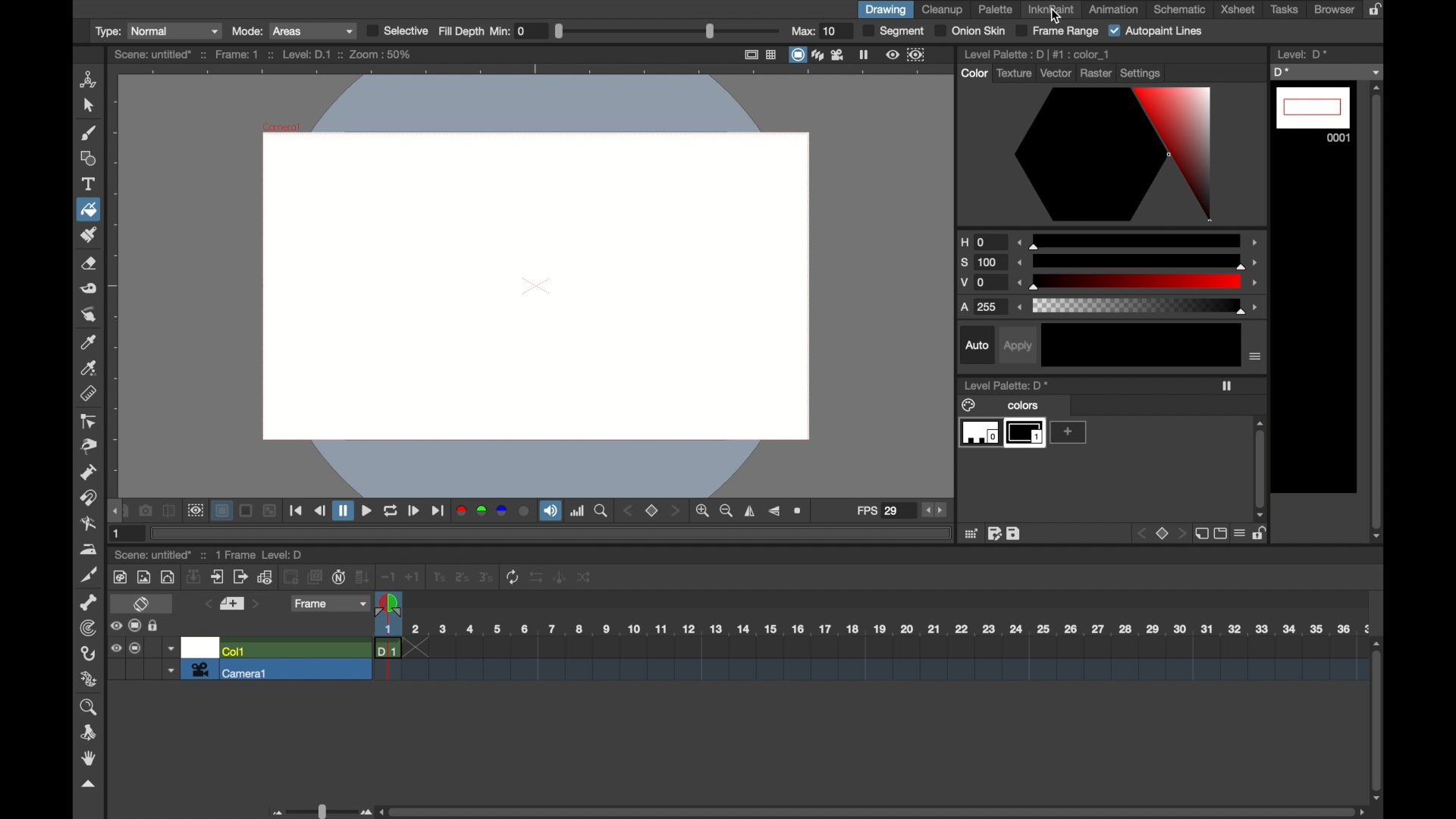 The image size is (1456, 819). I want to click on scale, so click(1139, 260).